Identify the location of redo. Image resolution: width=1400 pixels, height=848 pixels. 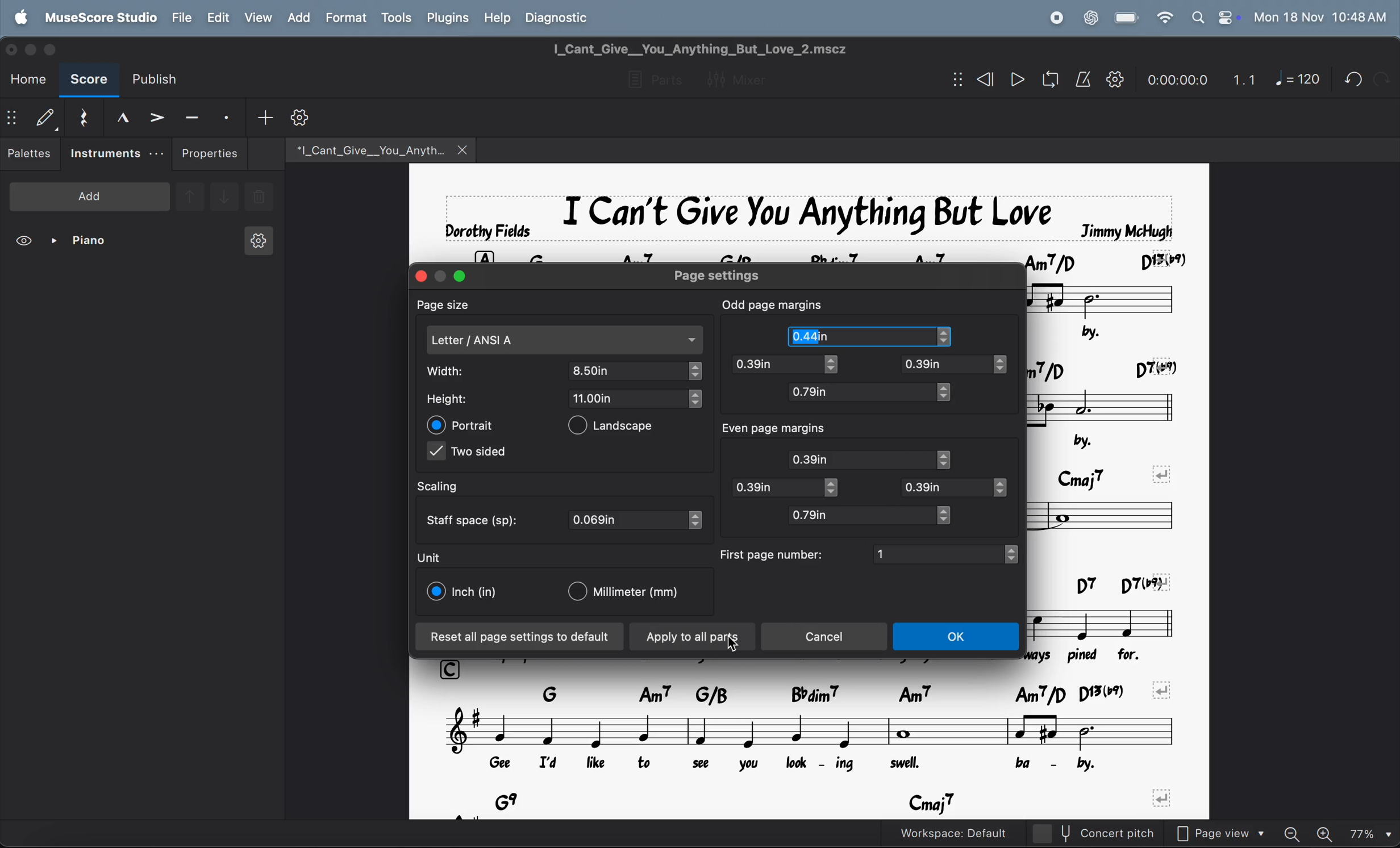
(1349, 79).